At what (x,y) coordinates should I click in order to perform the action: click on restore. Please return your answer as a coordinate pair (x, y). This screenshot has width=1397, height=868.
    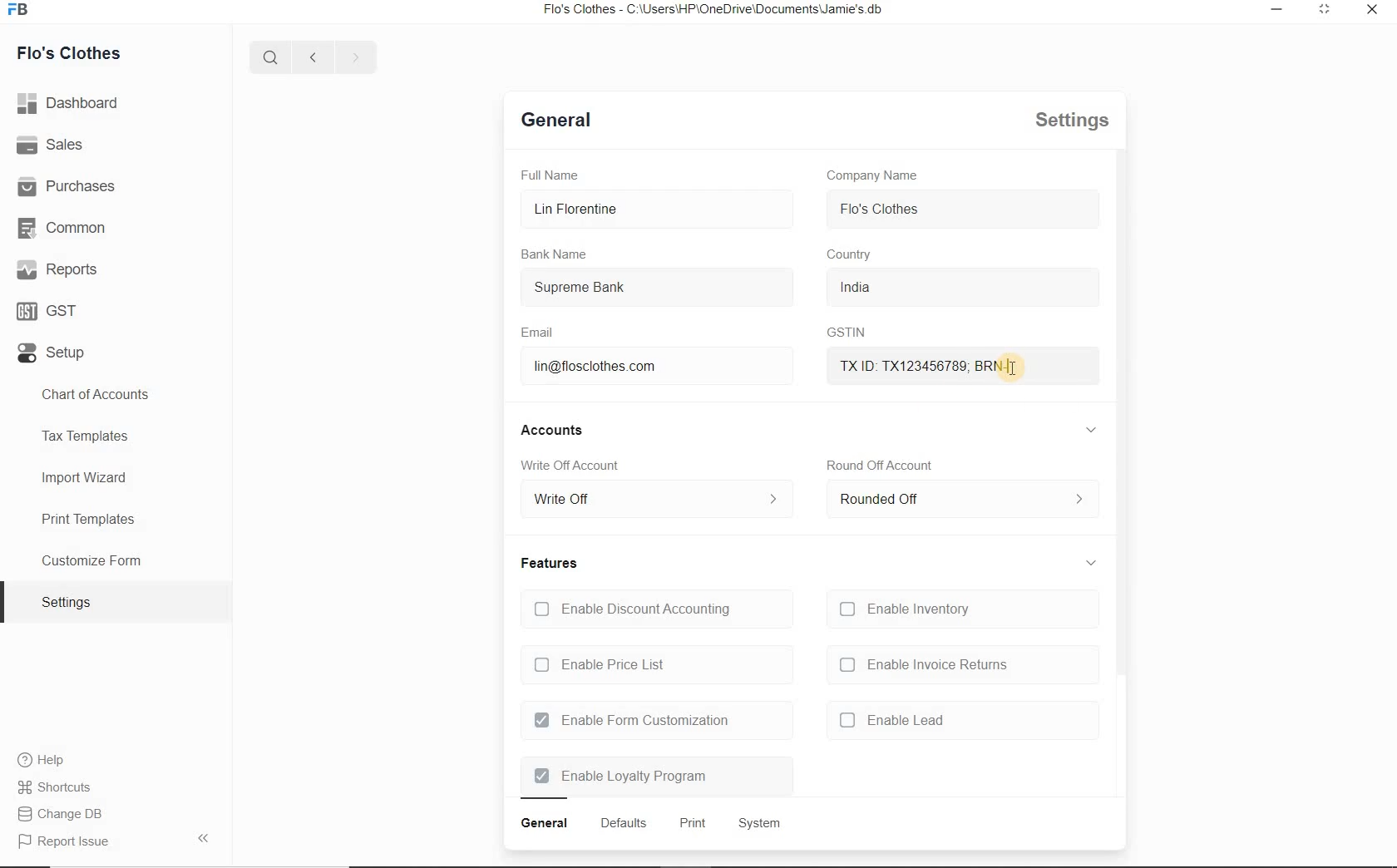
    Looking at the image, I should click on (1279, 12).